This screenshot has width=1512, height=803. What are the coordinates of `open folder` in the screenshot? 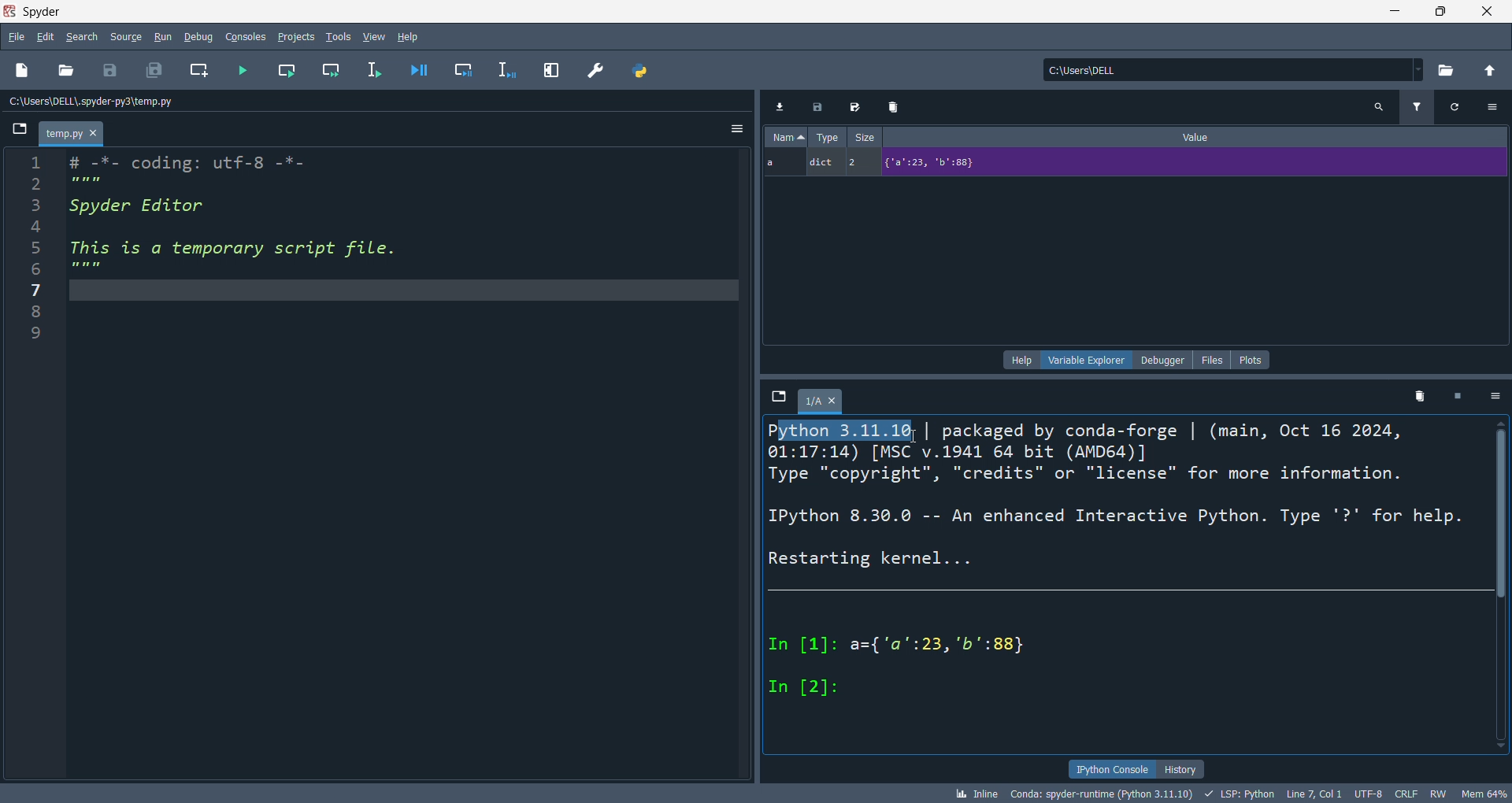 It's located at (65, 72).